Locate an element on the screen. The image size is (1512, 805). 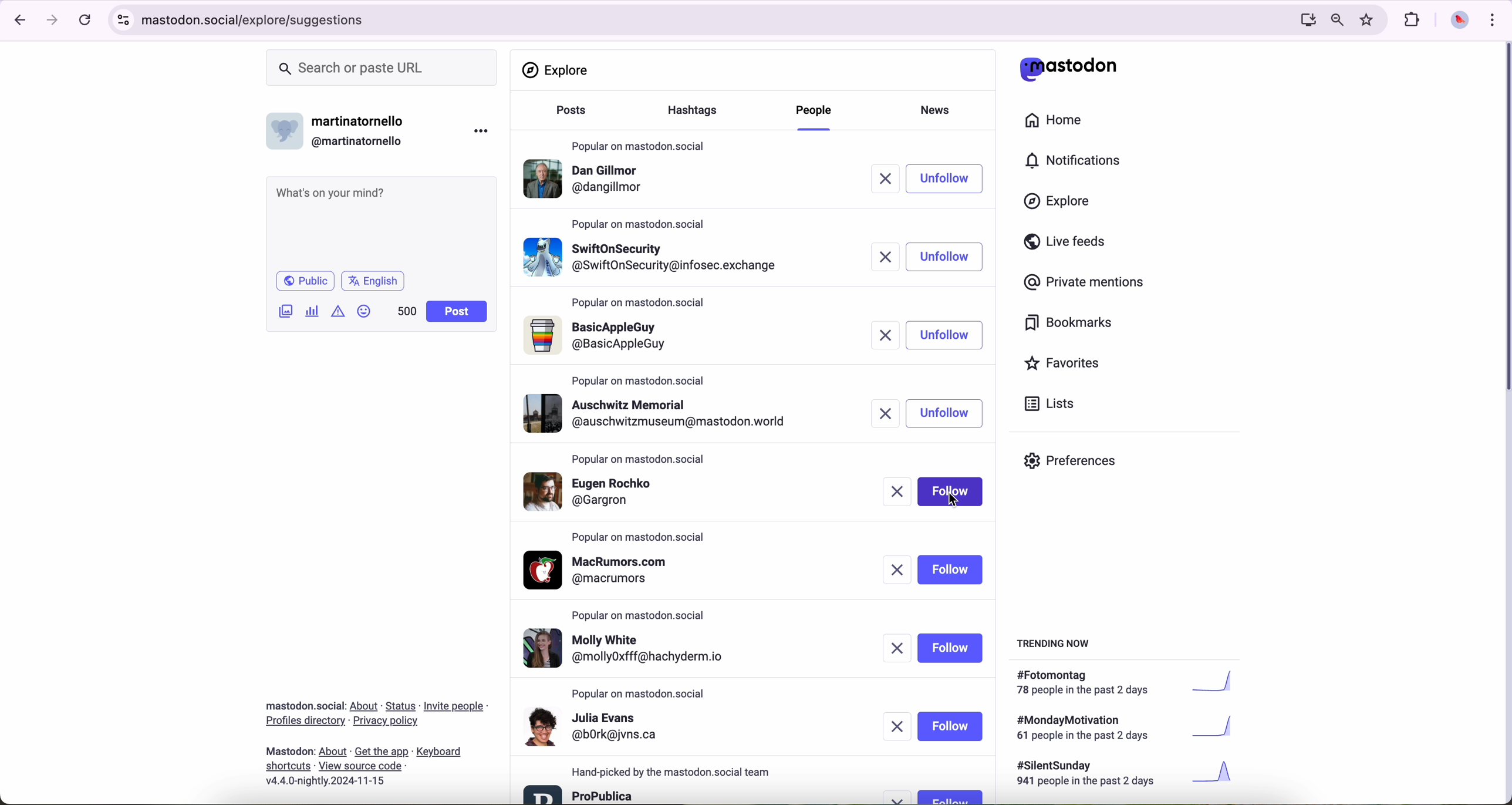
profile is located at coordinates (595, 726).